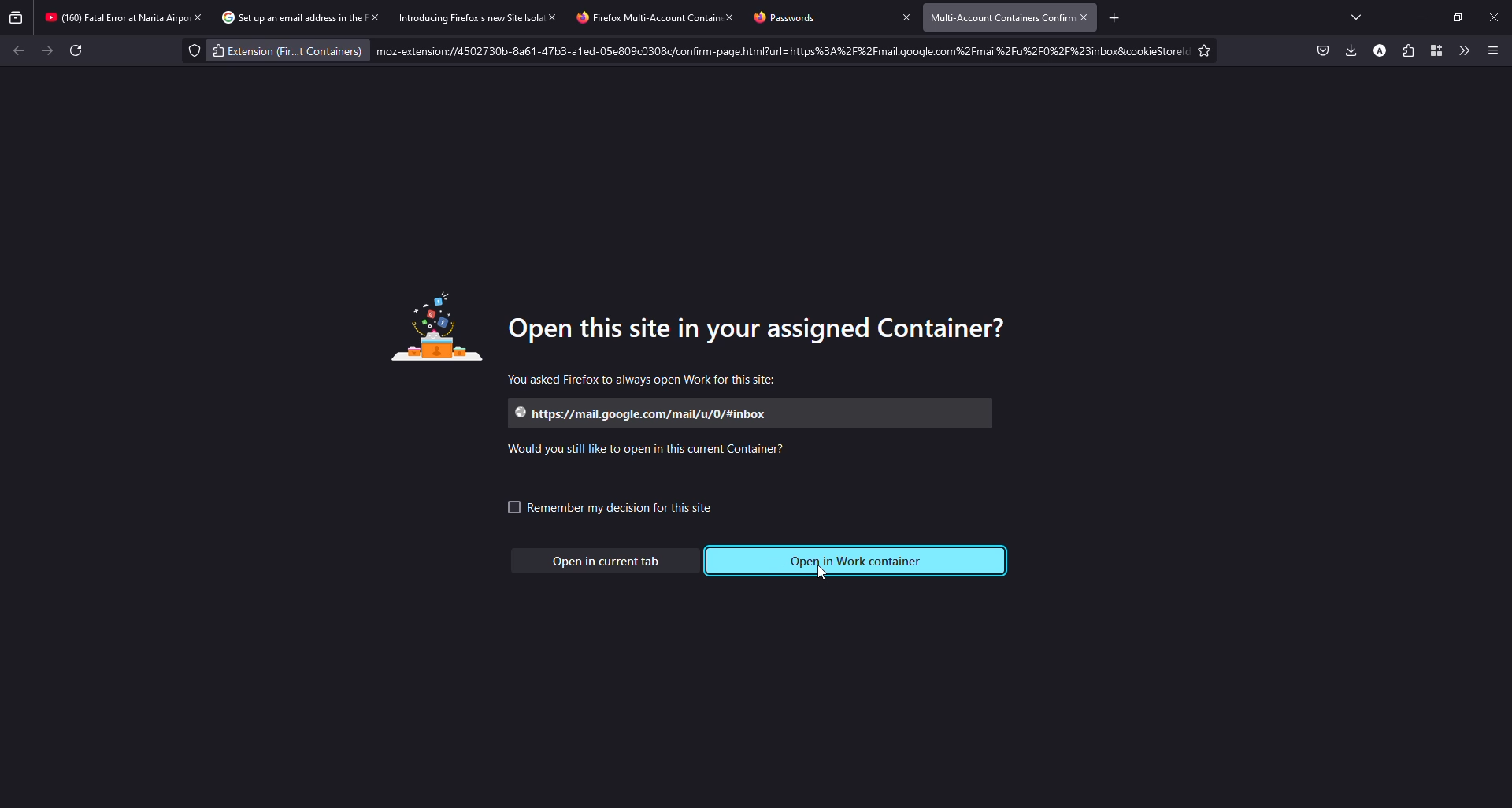 Image resolution: width=1512 pixels, height=808 pixels. What do you see at coordinates (189, 50) in the screenshot?
I see `tracking` at bounding box center [189, 50].